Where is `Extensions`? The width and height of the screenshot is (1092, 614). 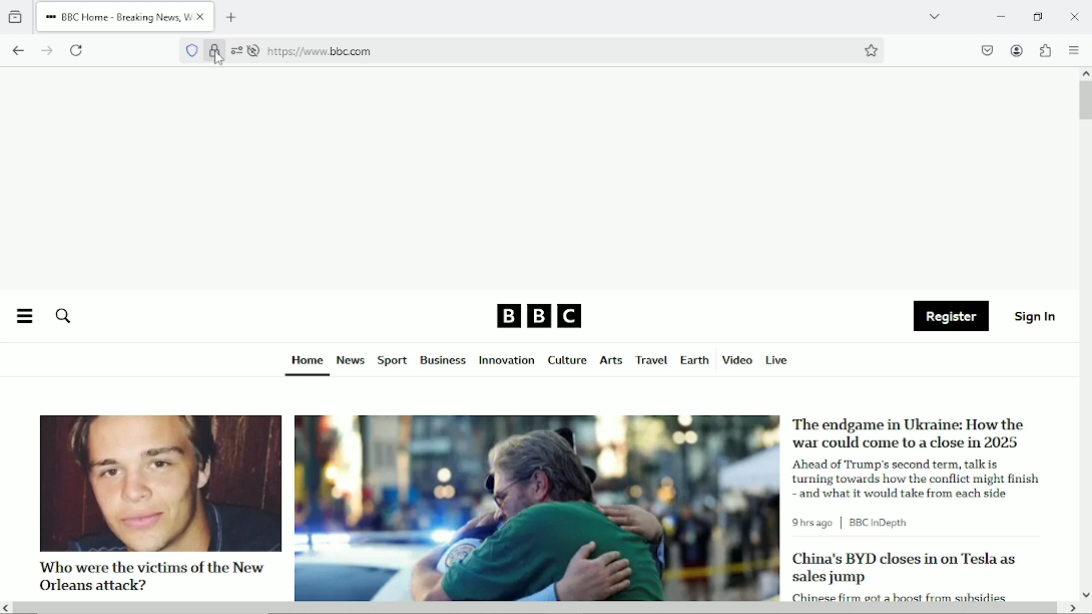
Extensions is located at coordinates (1044, 50).